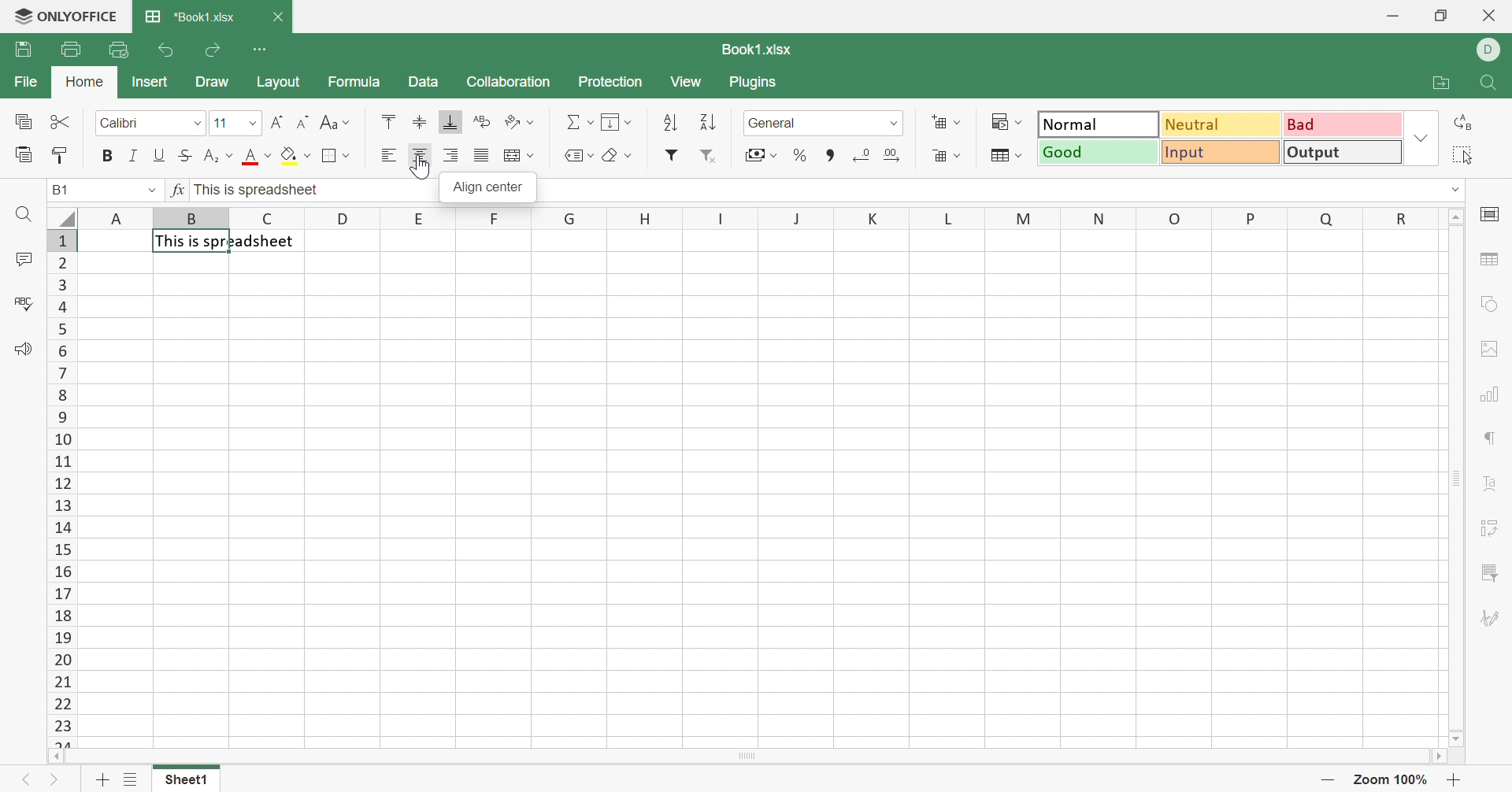  What do you see at coordinates (220, 122) in the screenshot?
I see `11` at bounding box center [220, 122].